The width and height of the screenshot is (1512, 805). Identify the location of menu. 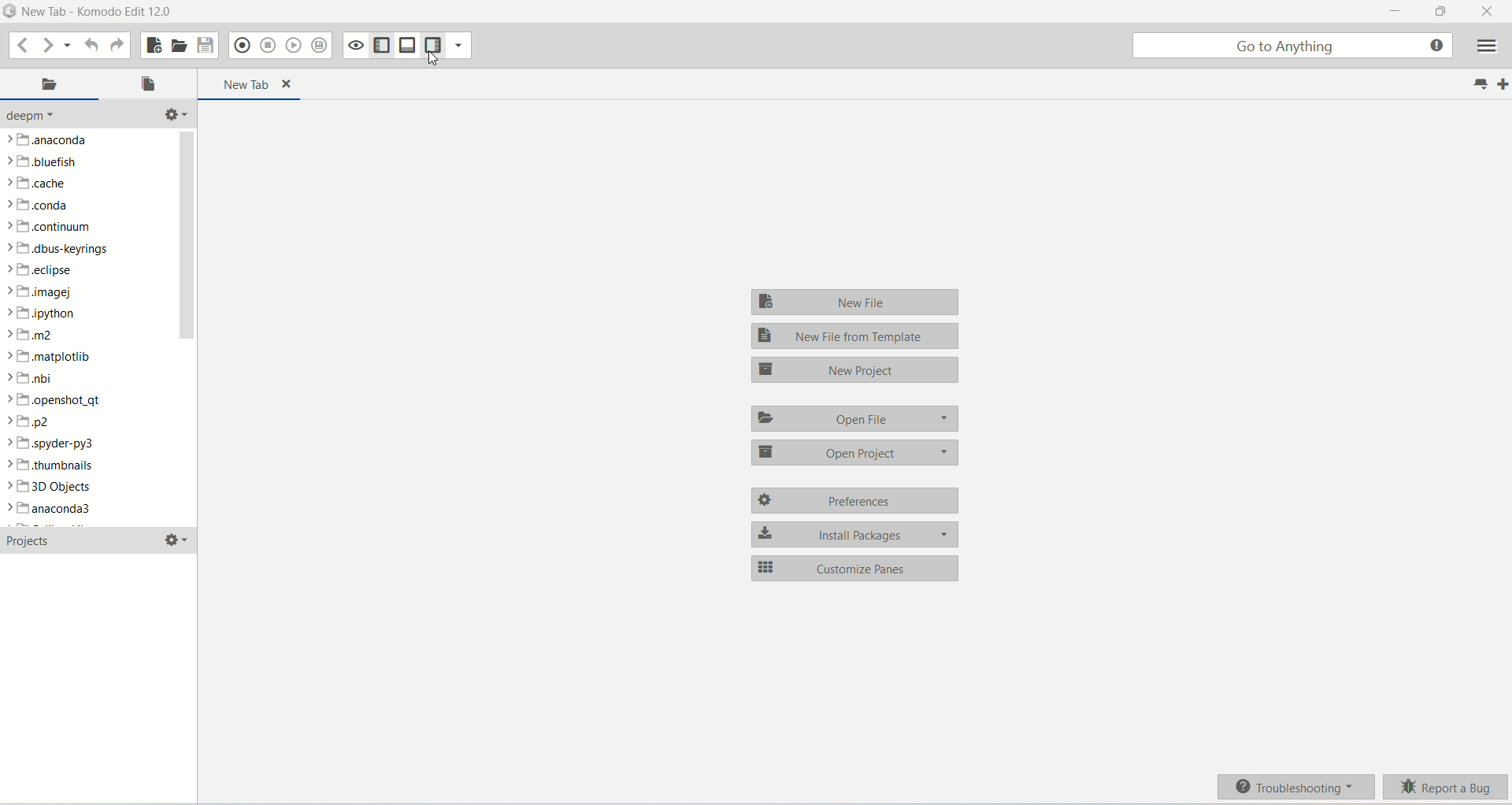
(1484, 48).